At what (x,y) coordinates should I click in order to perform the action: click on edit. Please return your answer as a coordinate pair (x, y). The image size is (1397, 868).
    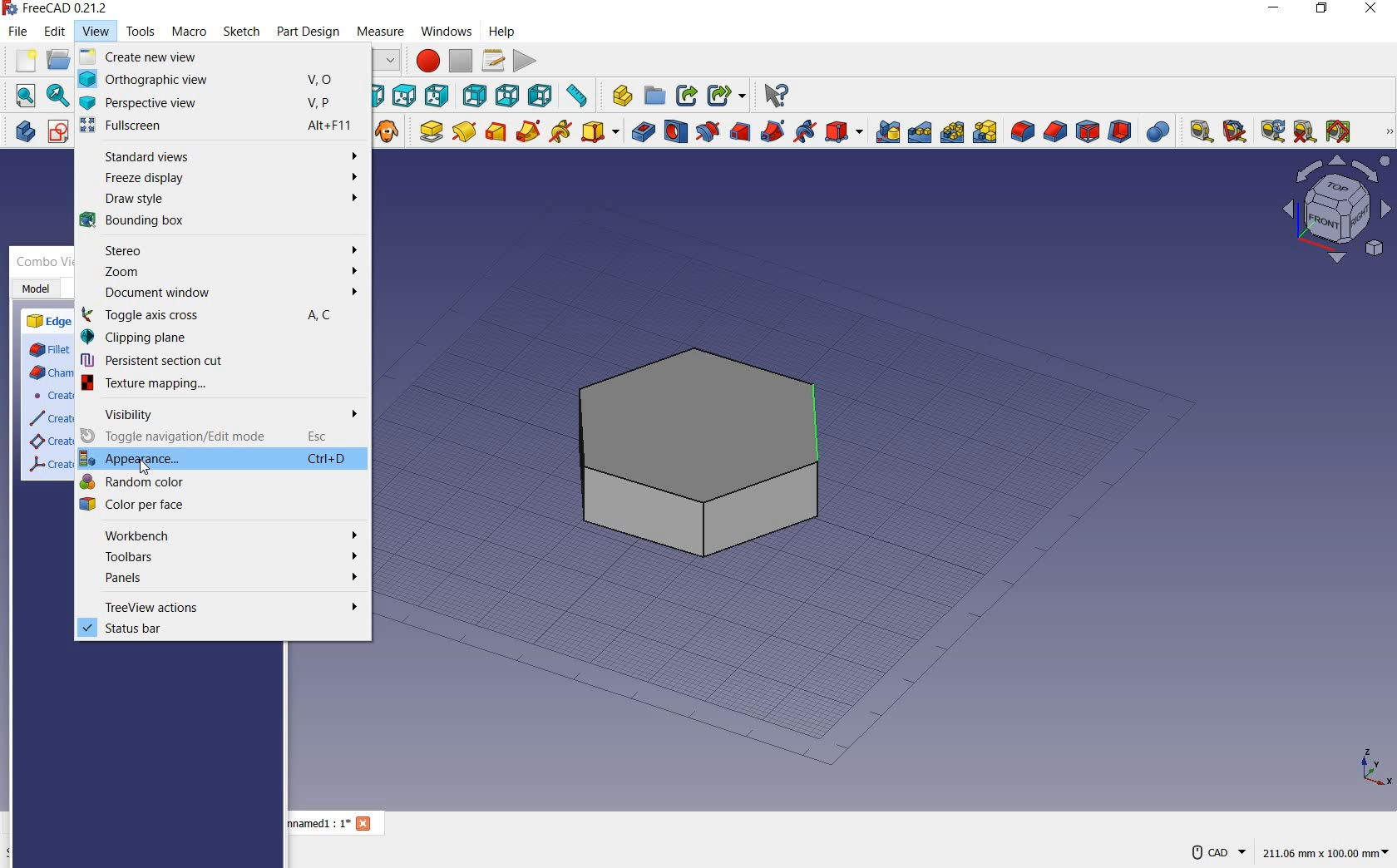
    Looking at the image, I should click on (53, 31).